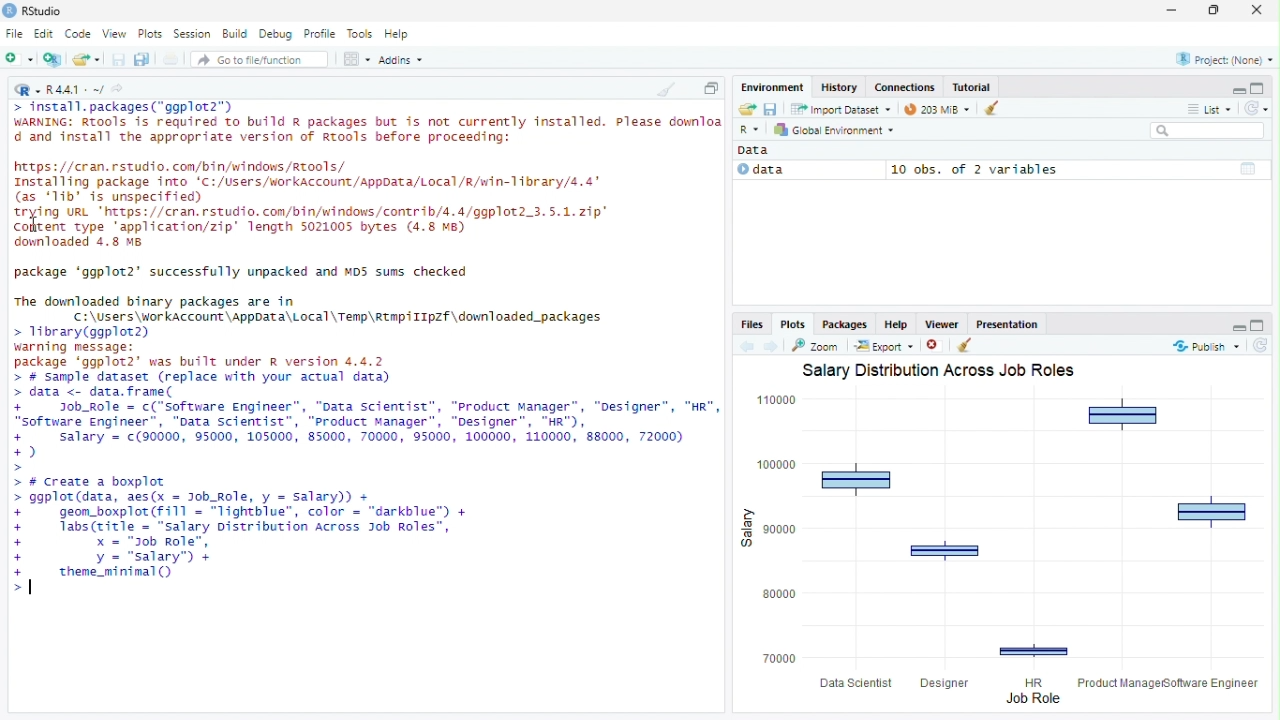 Image resolution: width=1280 pixels, height=720 pixels. I want to click on Global environment, so click(835, 130).